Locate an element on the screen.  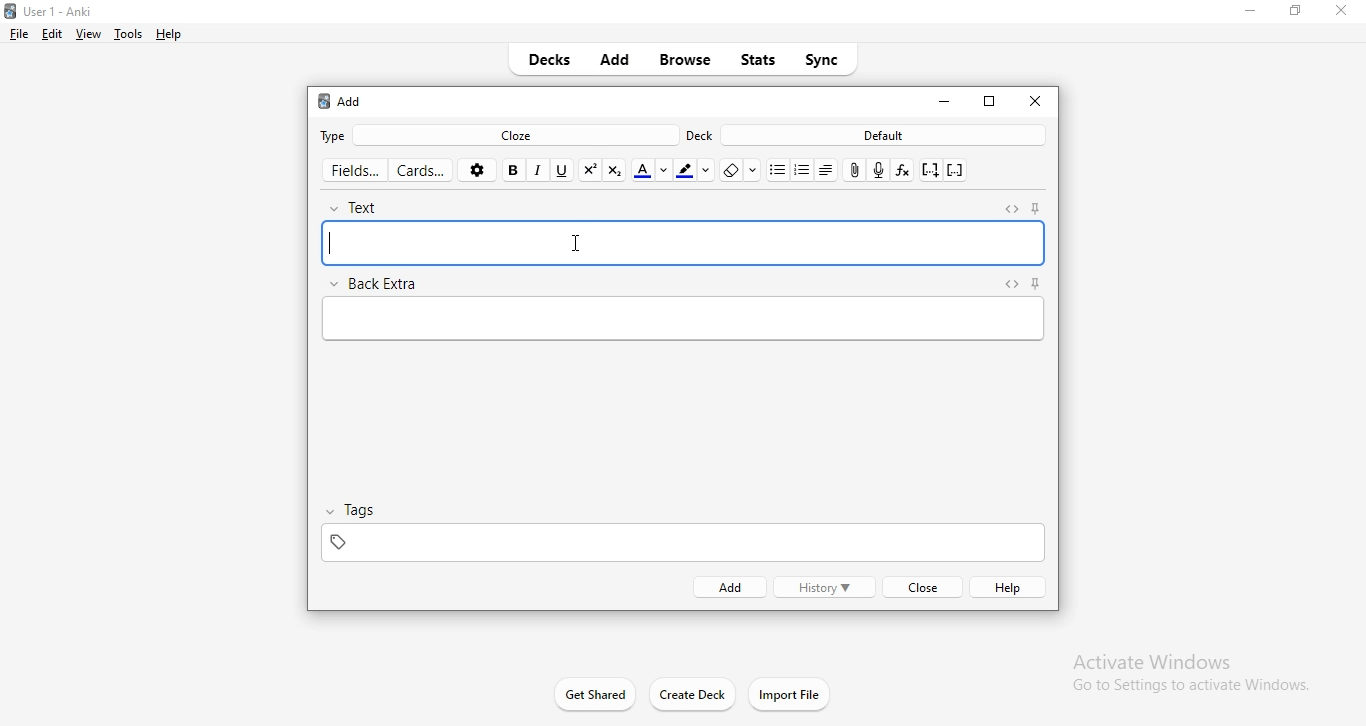
help is located at coordinates (170, 35).